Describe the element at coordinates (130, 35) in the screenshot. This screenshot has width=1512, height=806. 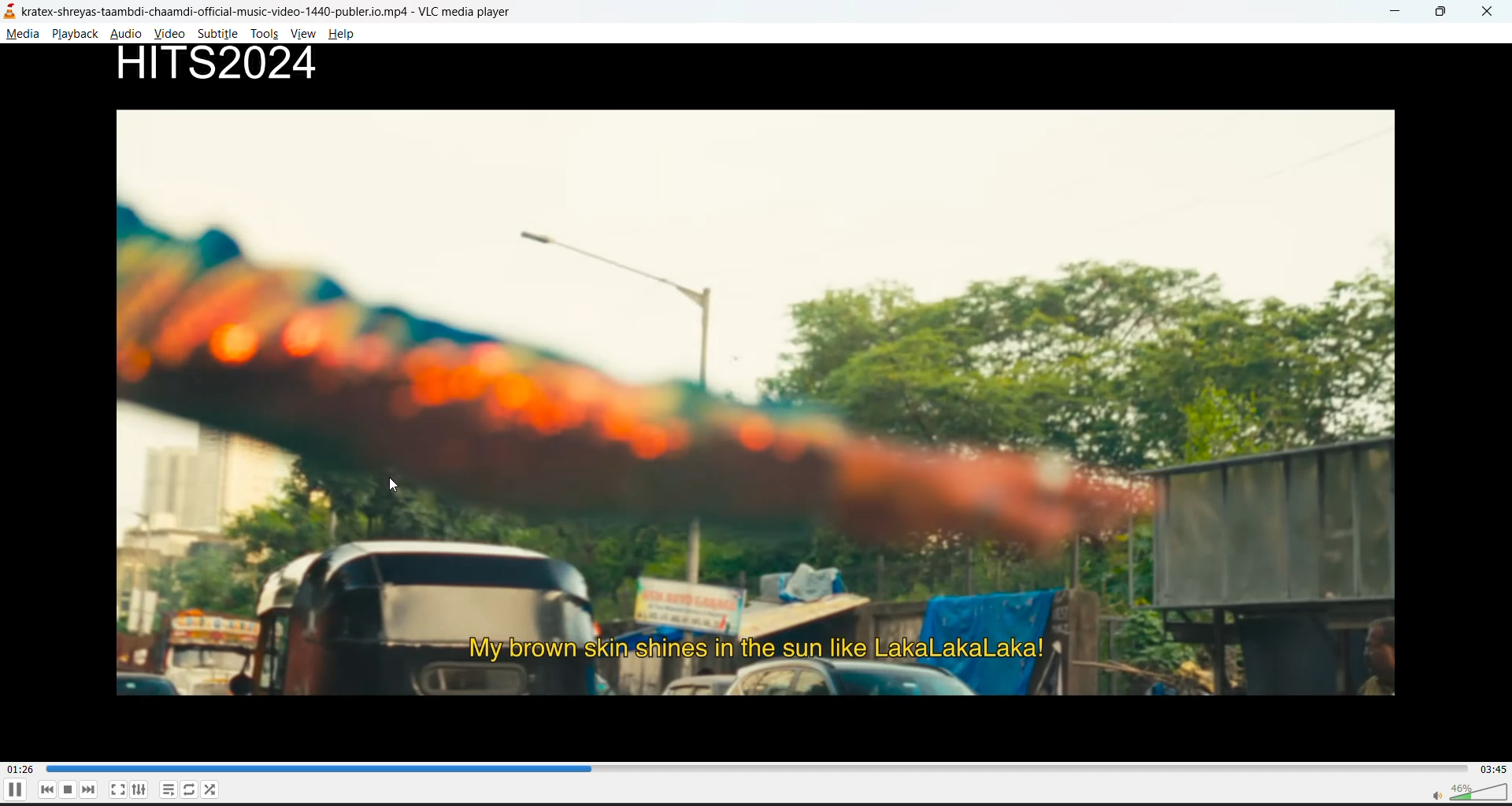
I see `audio` at that location.